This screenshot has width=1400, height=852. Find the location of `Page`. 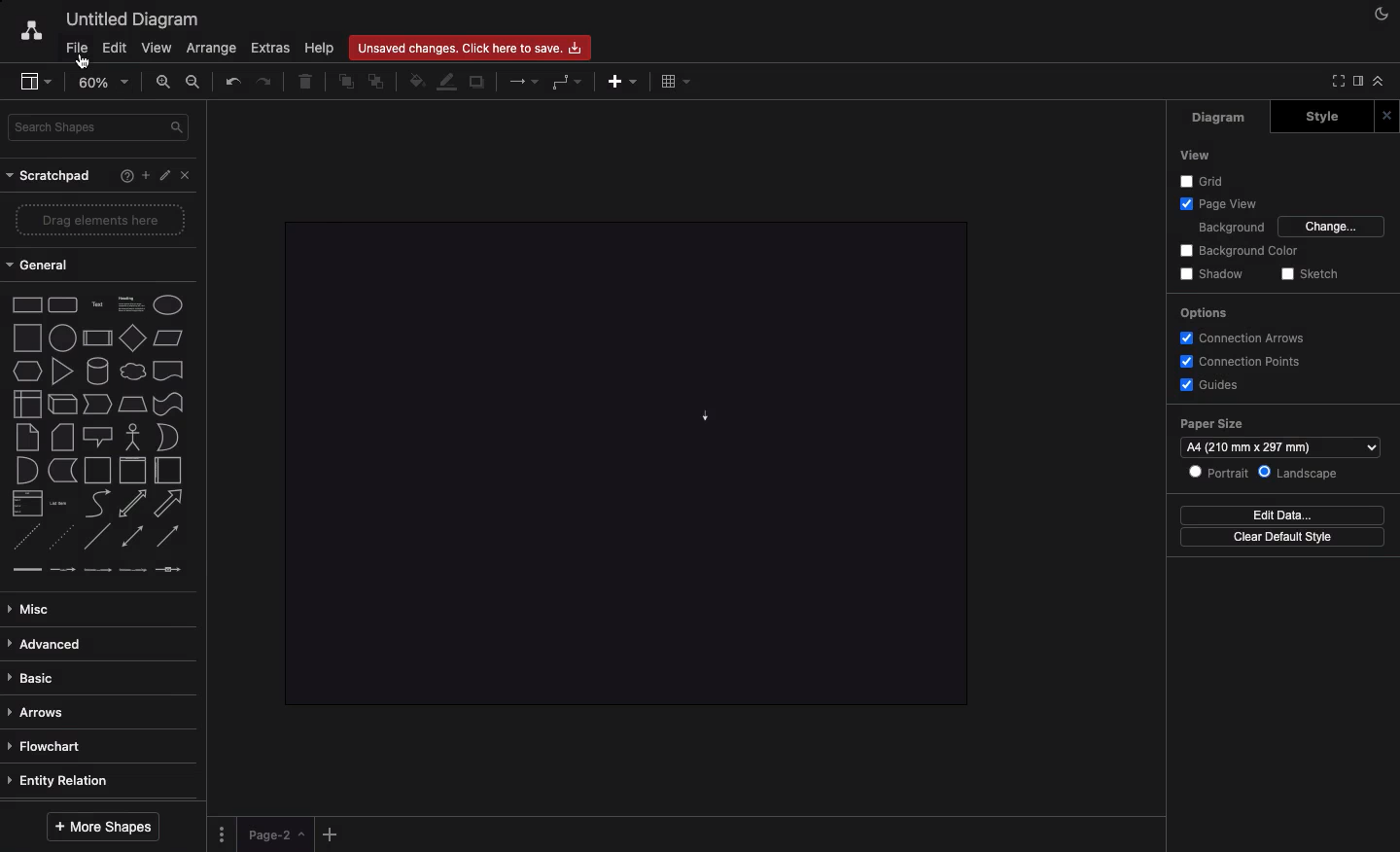

Page is located at coordinates (277, 834).